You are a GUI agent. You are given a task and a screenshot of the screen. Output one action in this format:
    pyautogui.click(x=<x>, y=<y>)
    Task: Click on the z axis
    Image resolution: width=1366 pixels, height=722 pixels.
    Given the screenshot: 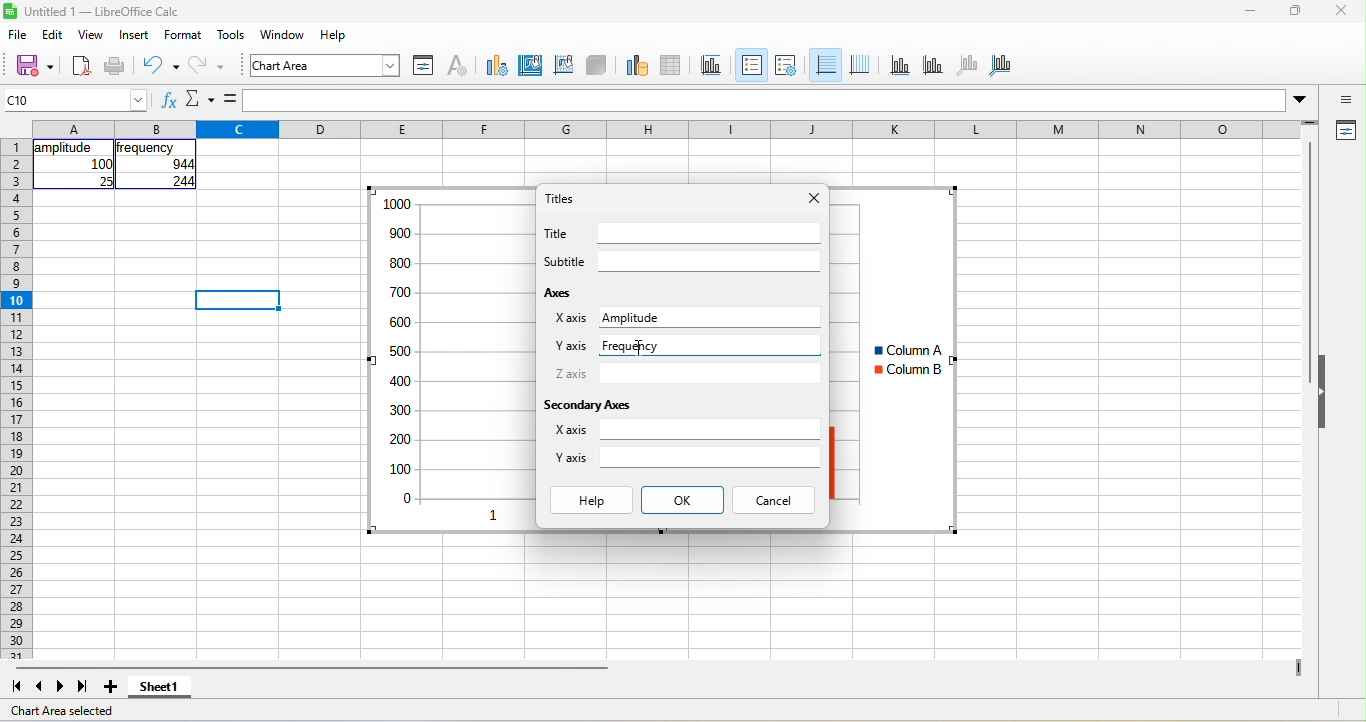 What is the action you would take?
    pyautogui.click(x=968, y=66)
    